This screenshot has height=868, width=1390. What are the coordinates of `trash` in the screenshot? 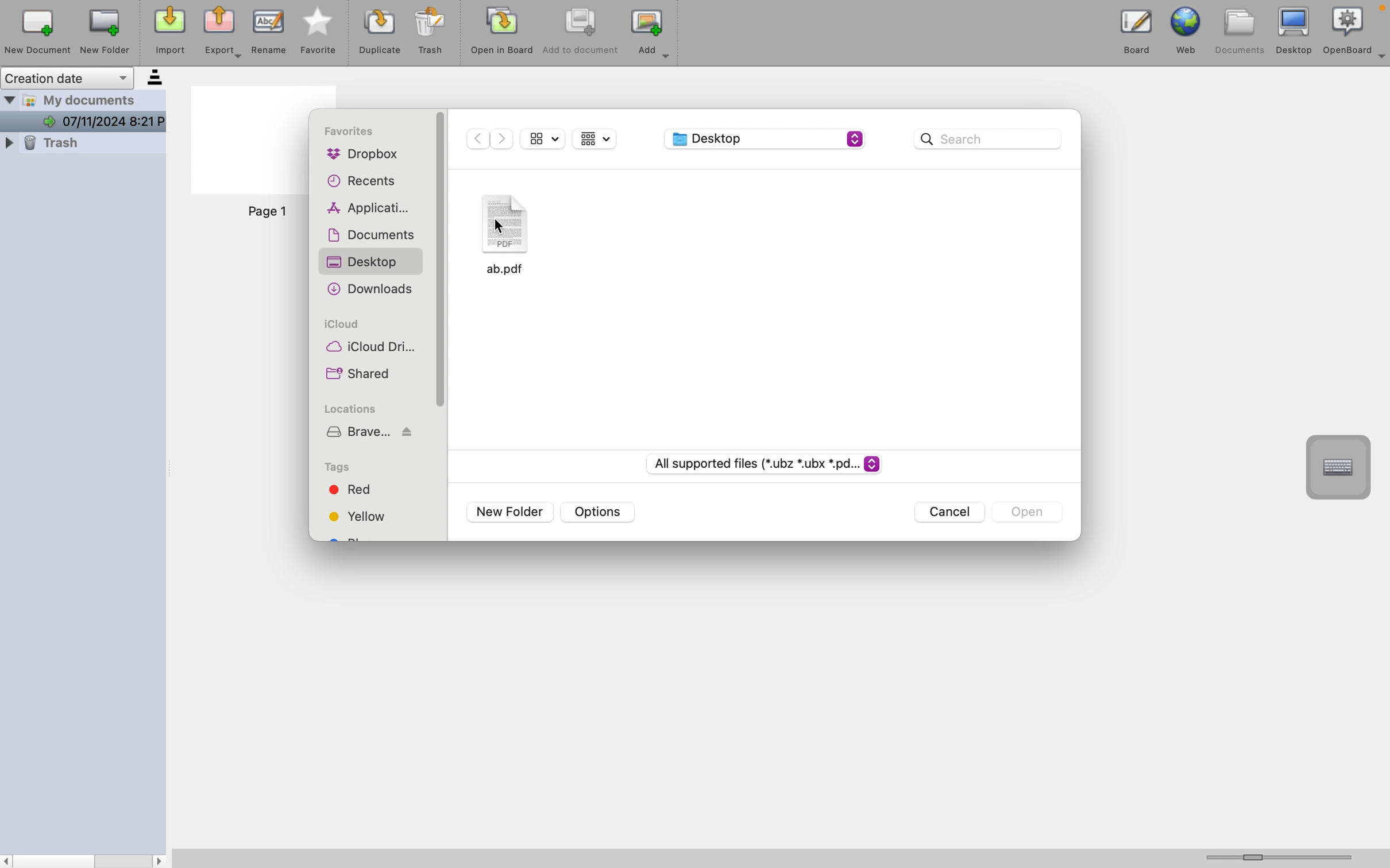 It's located at (432, 33).